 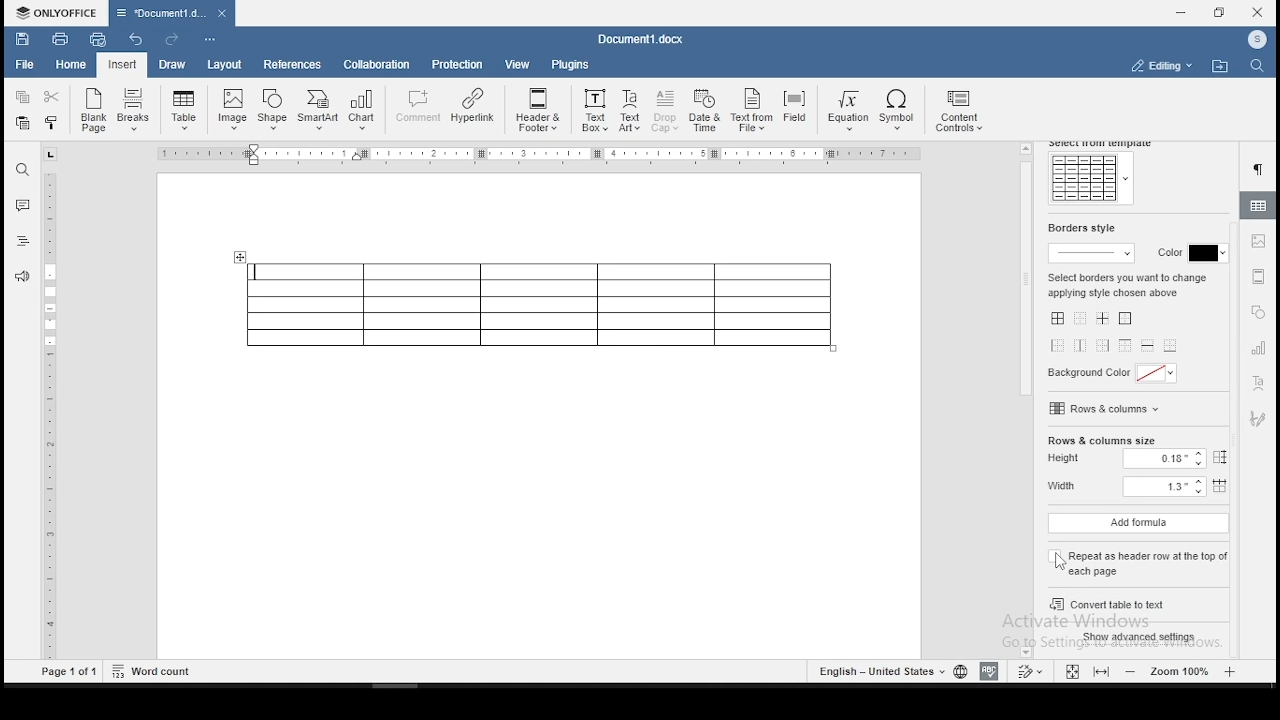 What do you see at coordinates (1181, 671) in the screenshot?
I see `zoom level` at bounding box center [1181, 671].